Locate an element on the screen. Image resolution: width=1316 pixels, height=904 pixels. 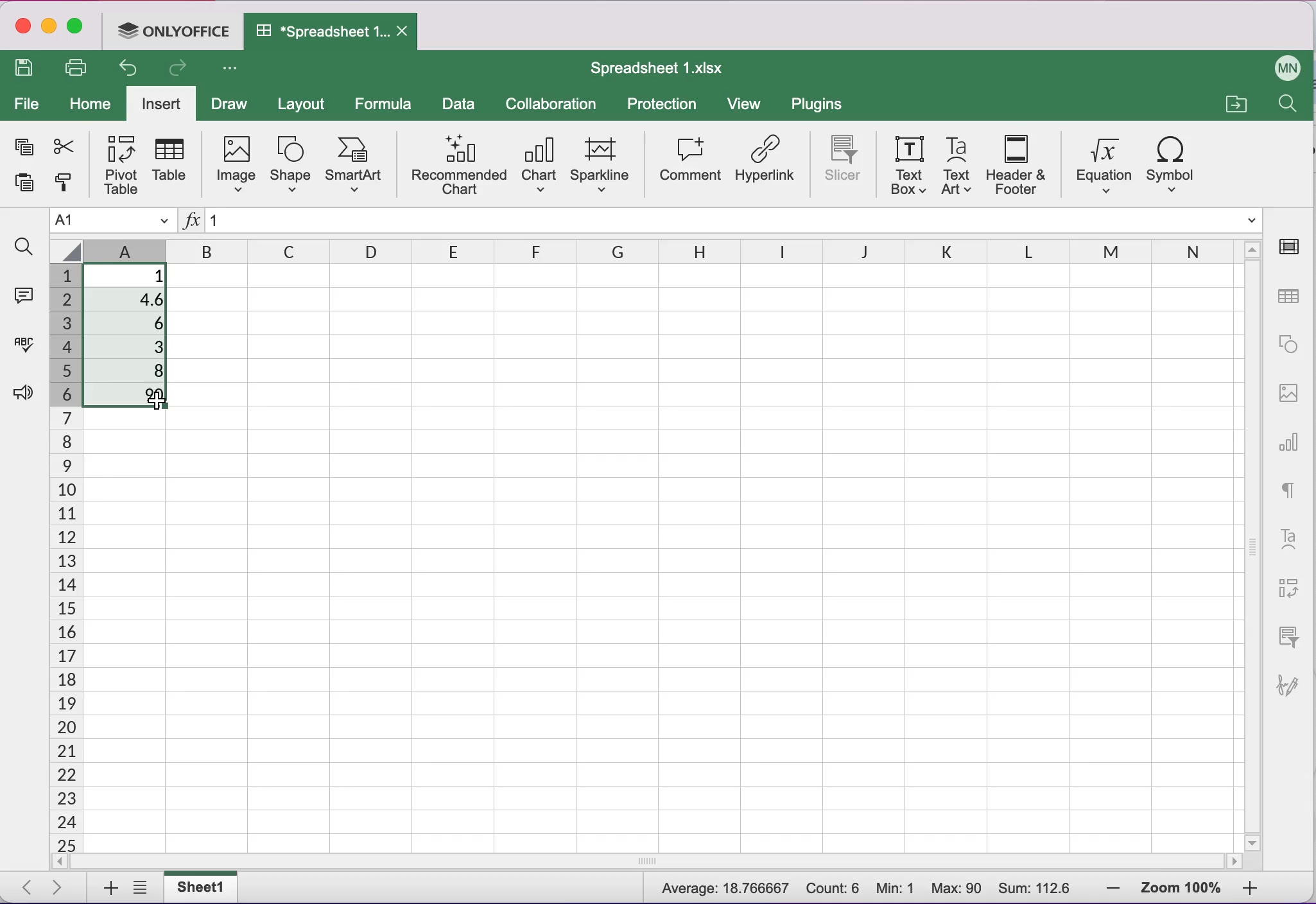
Name manager A1 is located at coordinates (112, 222).